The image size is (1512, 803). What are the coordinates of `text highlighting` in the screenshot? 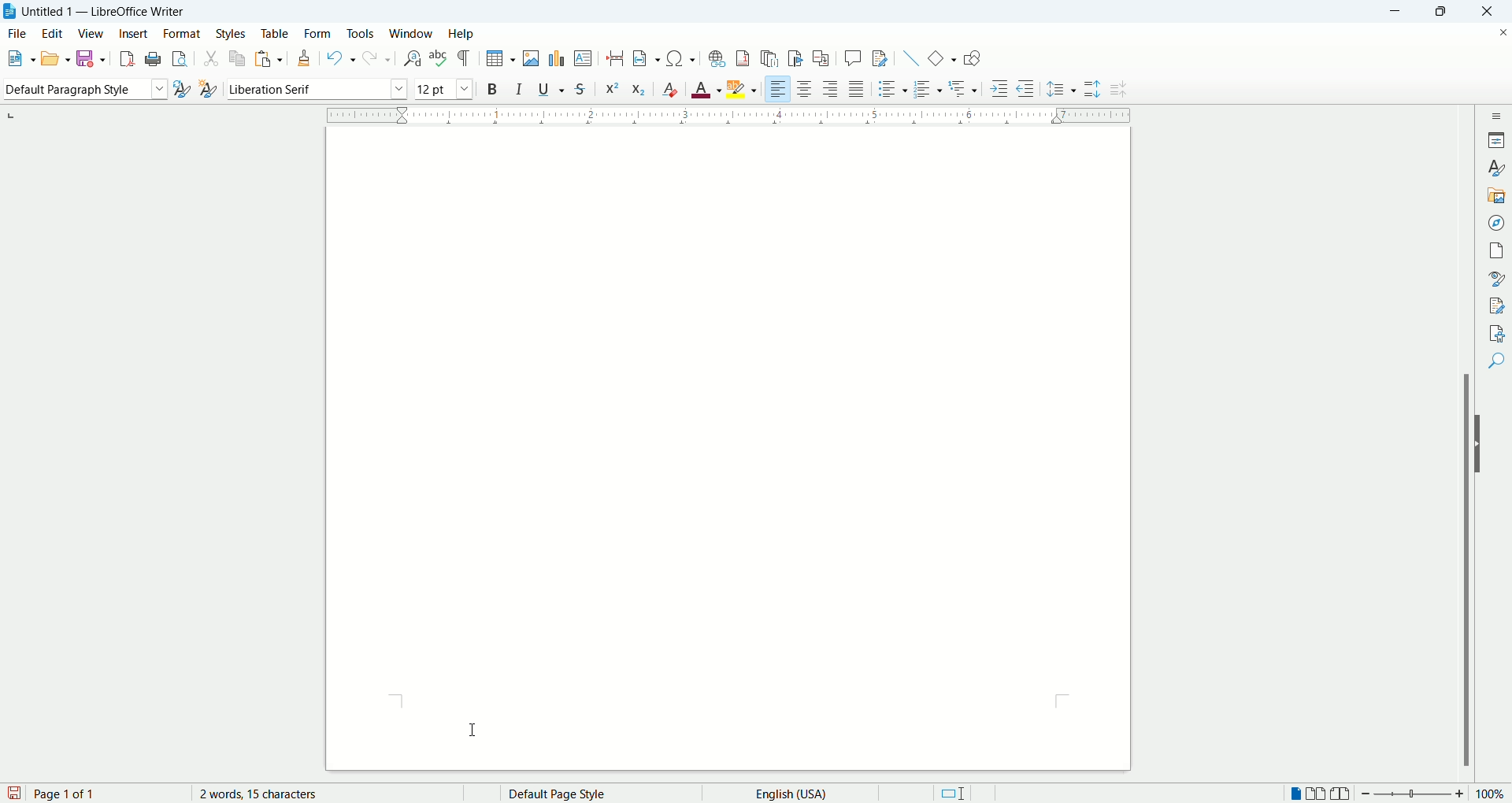 It's located at (743, 90).